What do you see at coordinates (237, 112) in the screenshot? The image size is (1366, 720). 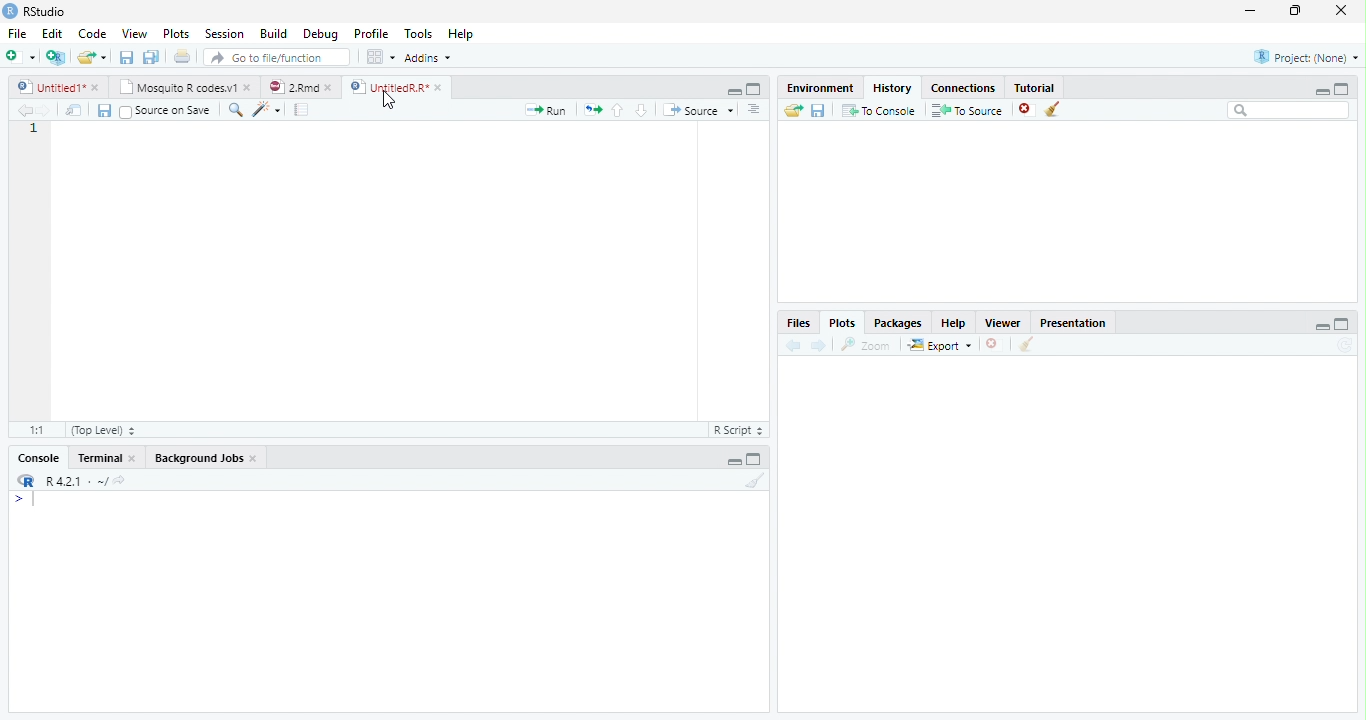 I see `Zoom` at bounding box center [237, 112].